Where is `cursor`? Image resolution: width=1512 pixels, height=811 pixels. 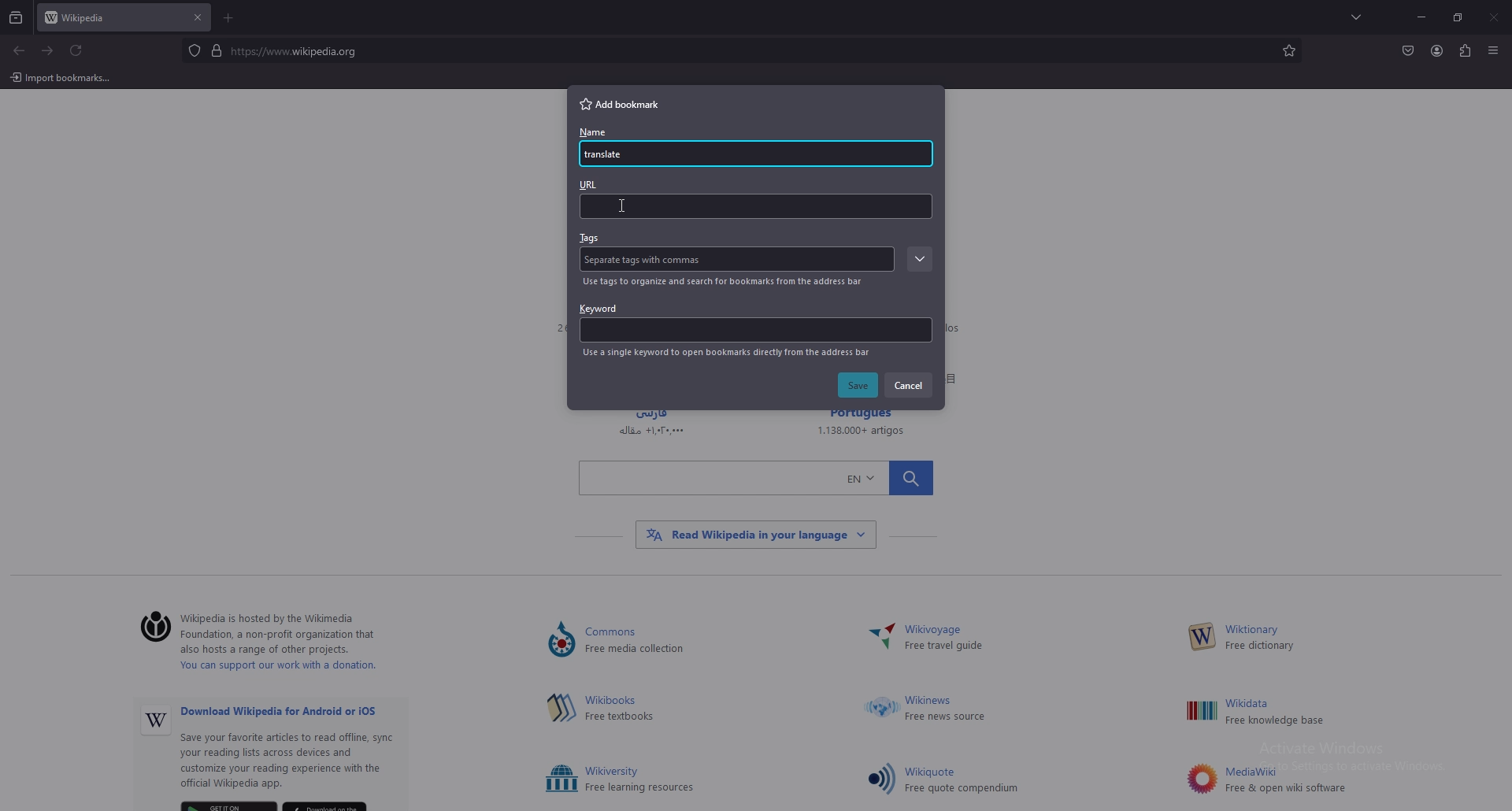
cursor is located at coordinates (621, 206).